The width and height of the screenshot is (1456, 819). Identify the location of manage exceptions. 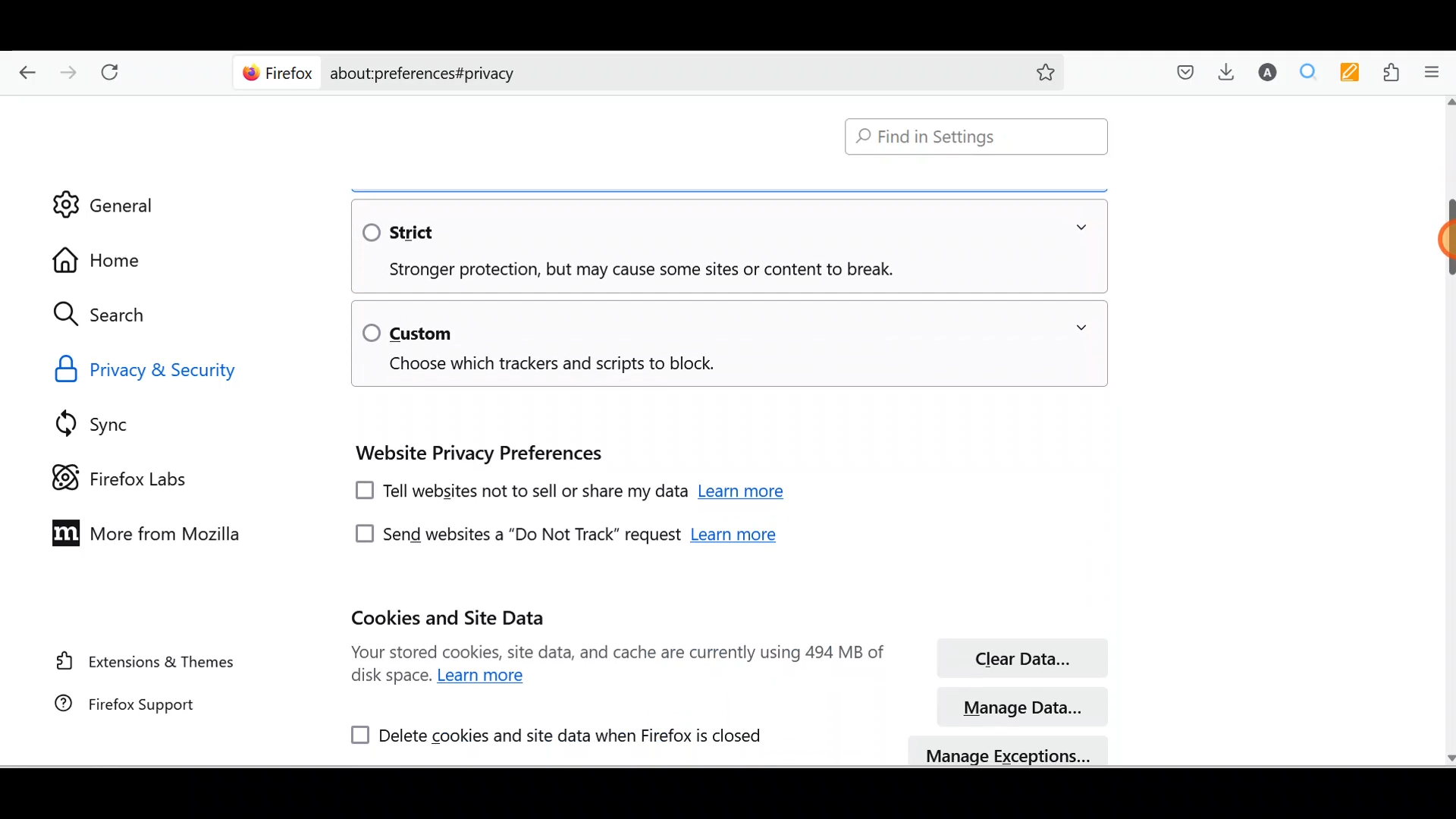
(1010, 751).